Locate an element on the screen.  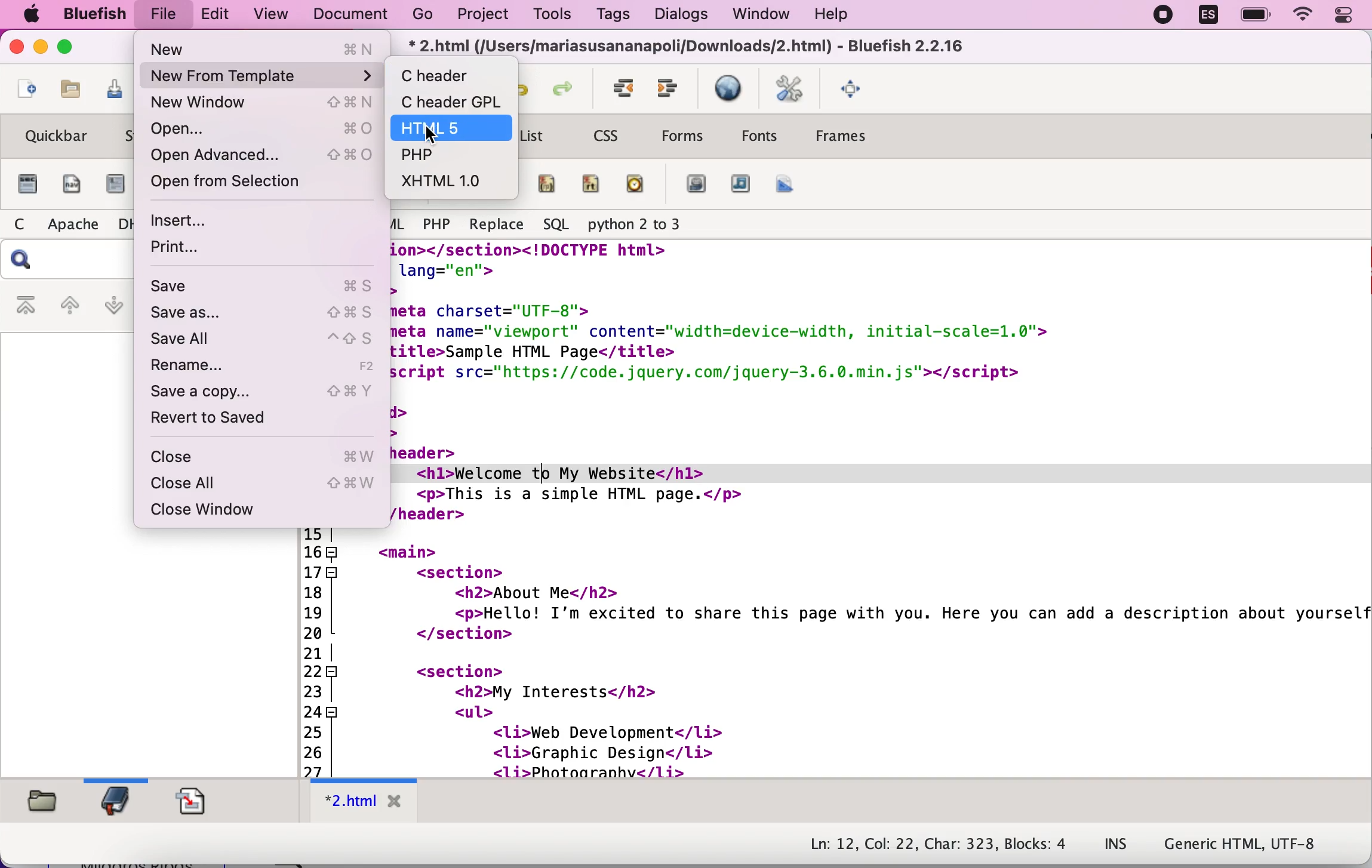
insert is located at coordinates (242, 221).